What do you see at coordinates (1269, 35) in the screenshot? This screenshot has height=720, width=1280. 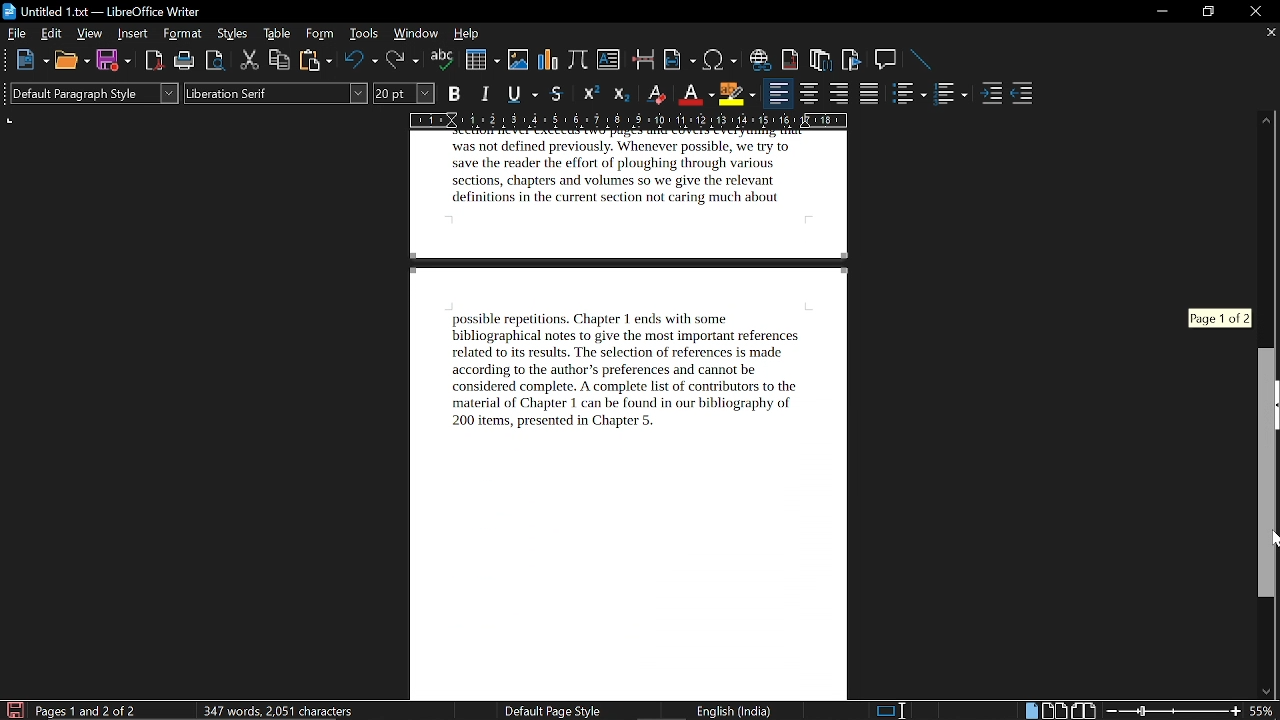 I see `close current tab` at bounding box center [1269, 35].